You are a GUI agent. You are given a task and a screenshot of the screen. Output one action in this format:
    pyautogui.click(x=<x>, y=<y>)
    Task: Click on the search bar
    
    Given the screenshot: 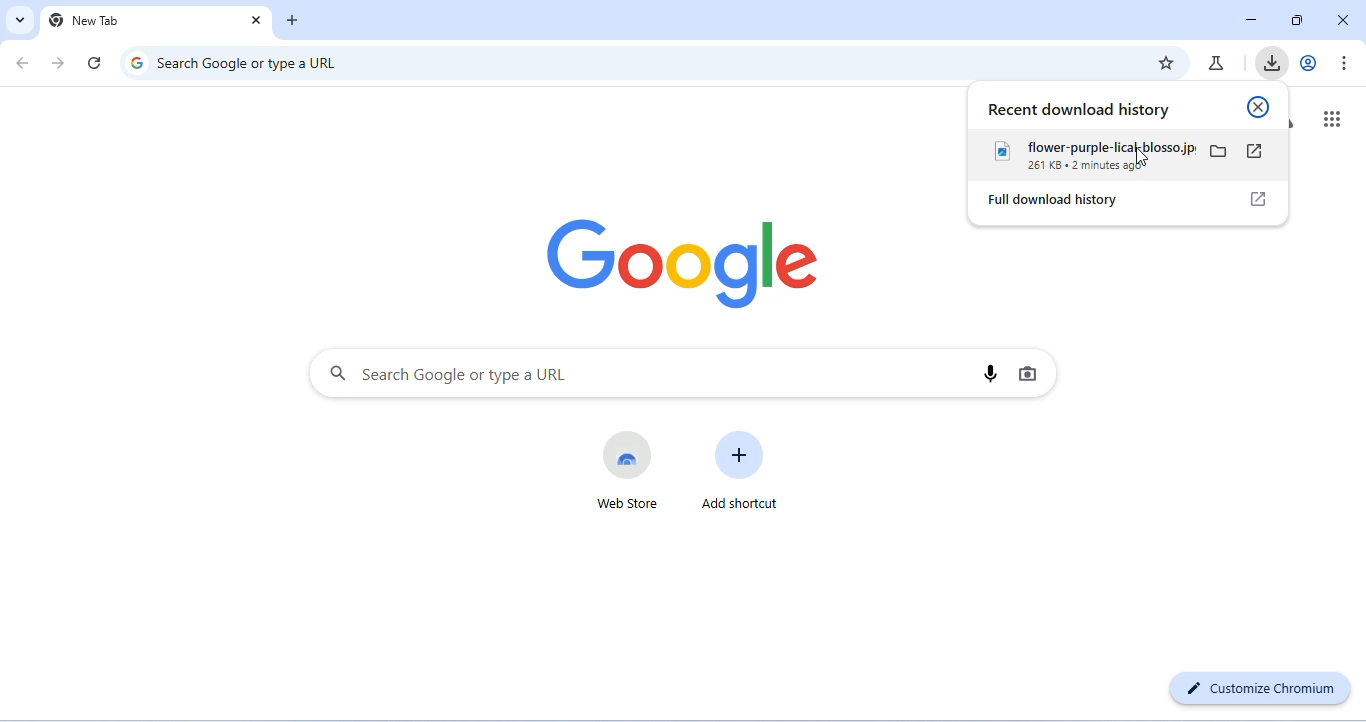 What is the action you would take?
    pyautogui.click(x=634, y=375)
    